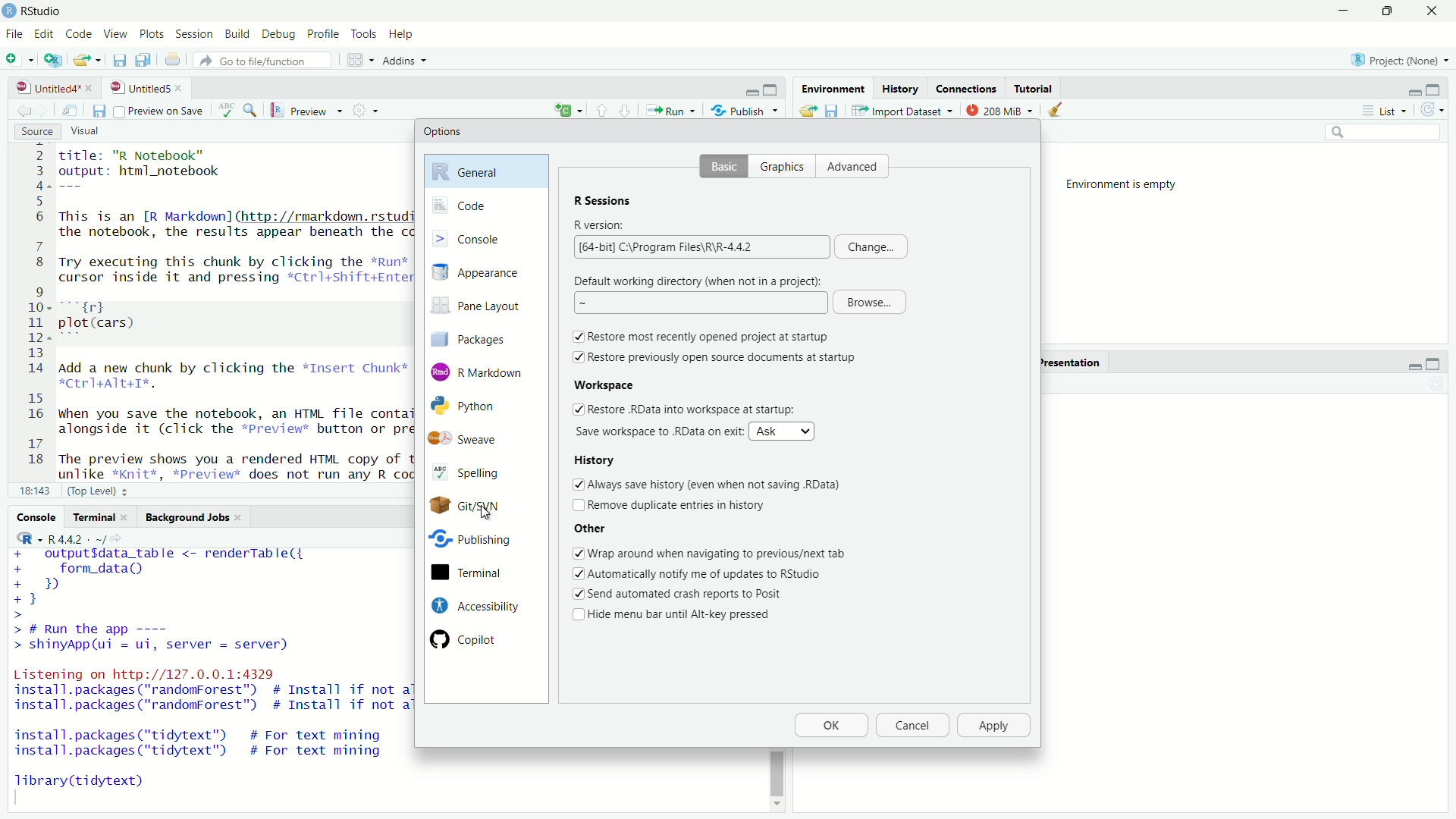 The width and height of the screenshot is (1456, 819). I want to click on cursor, so click(484, 514).